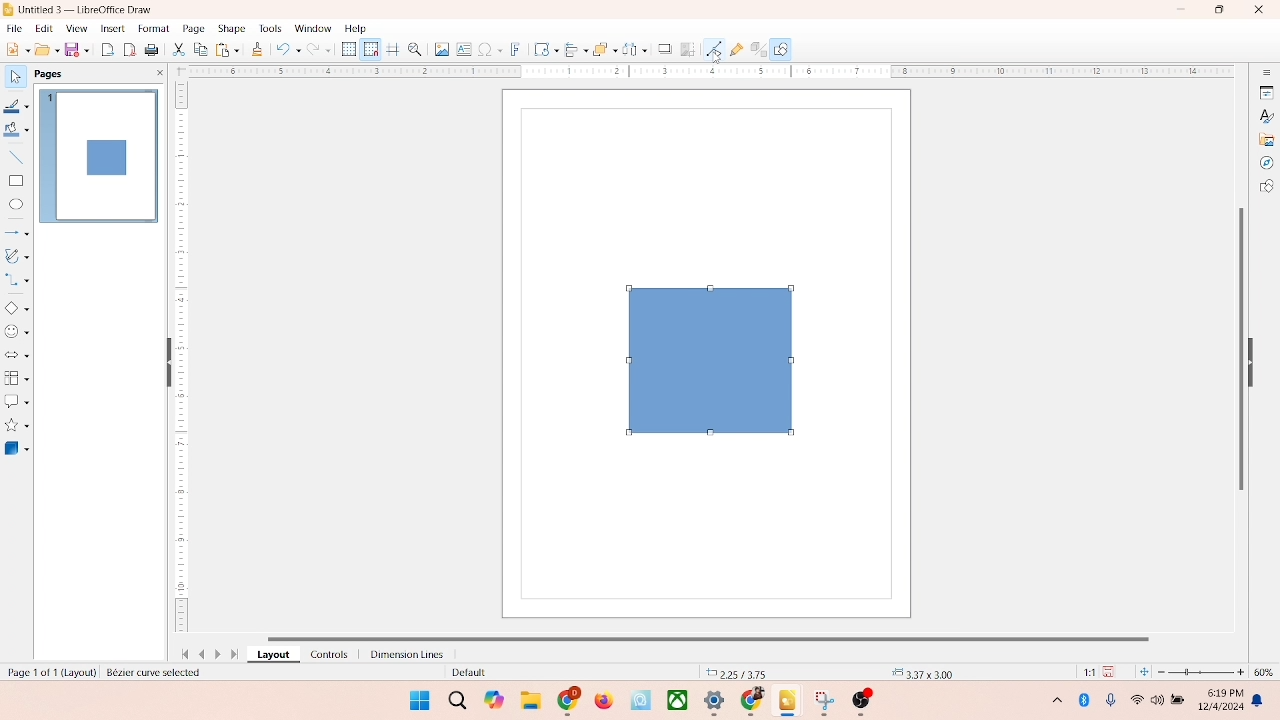 Image resolution: width=1280 pixels, height=720 pixels. I want to click on first page, so click(181, 652).